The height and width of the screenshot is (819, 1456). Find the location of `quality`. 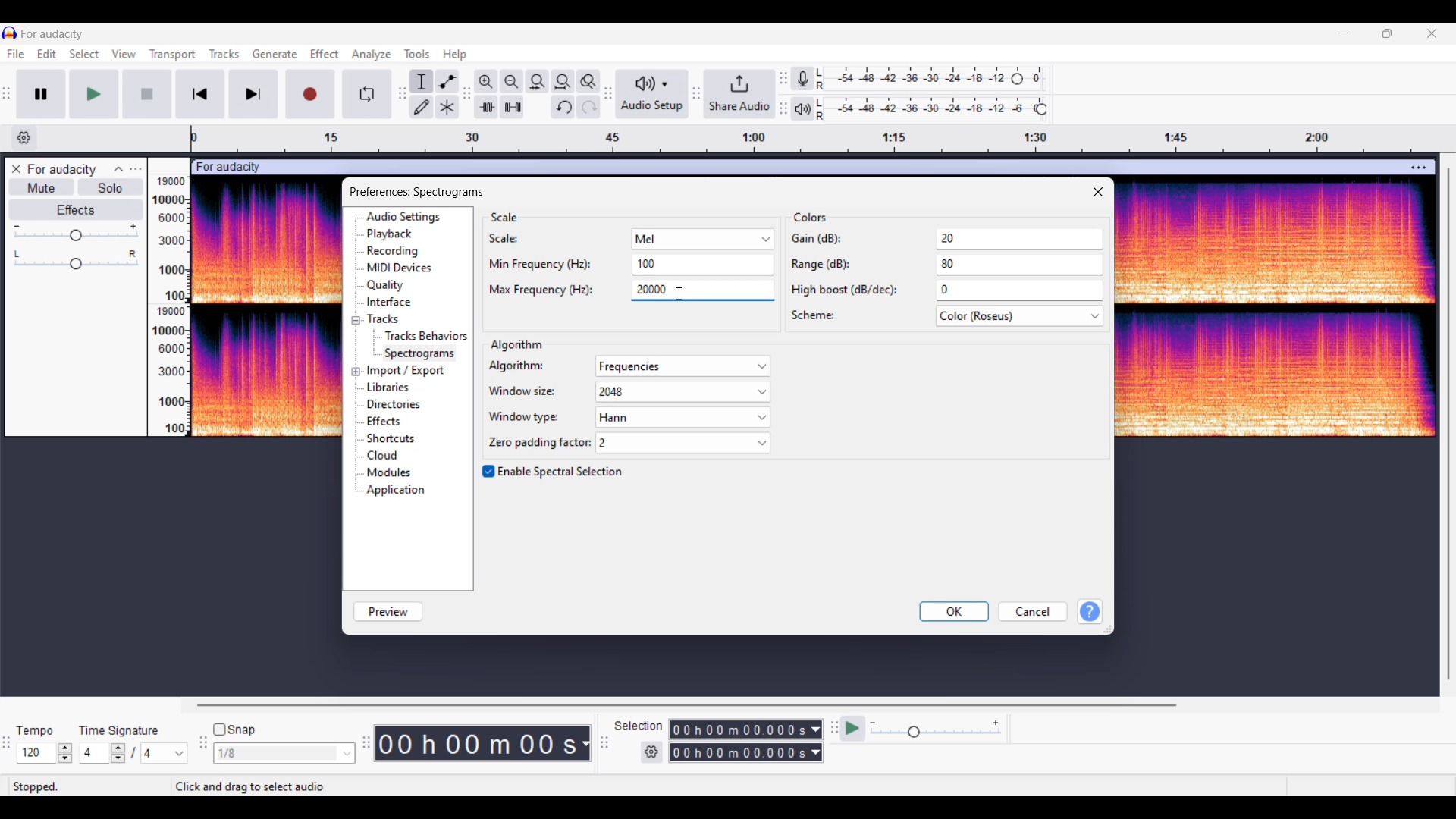

quality is located at coordinates (388, 286).